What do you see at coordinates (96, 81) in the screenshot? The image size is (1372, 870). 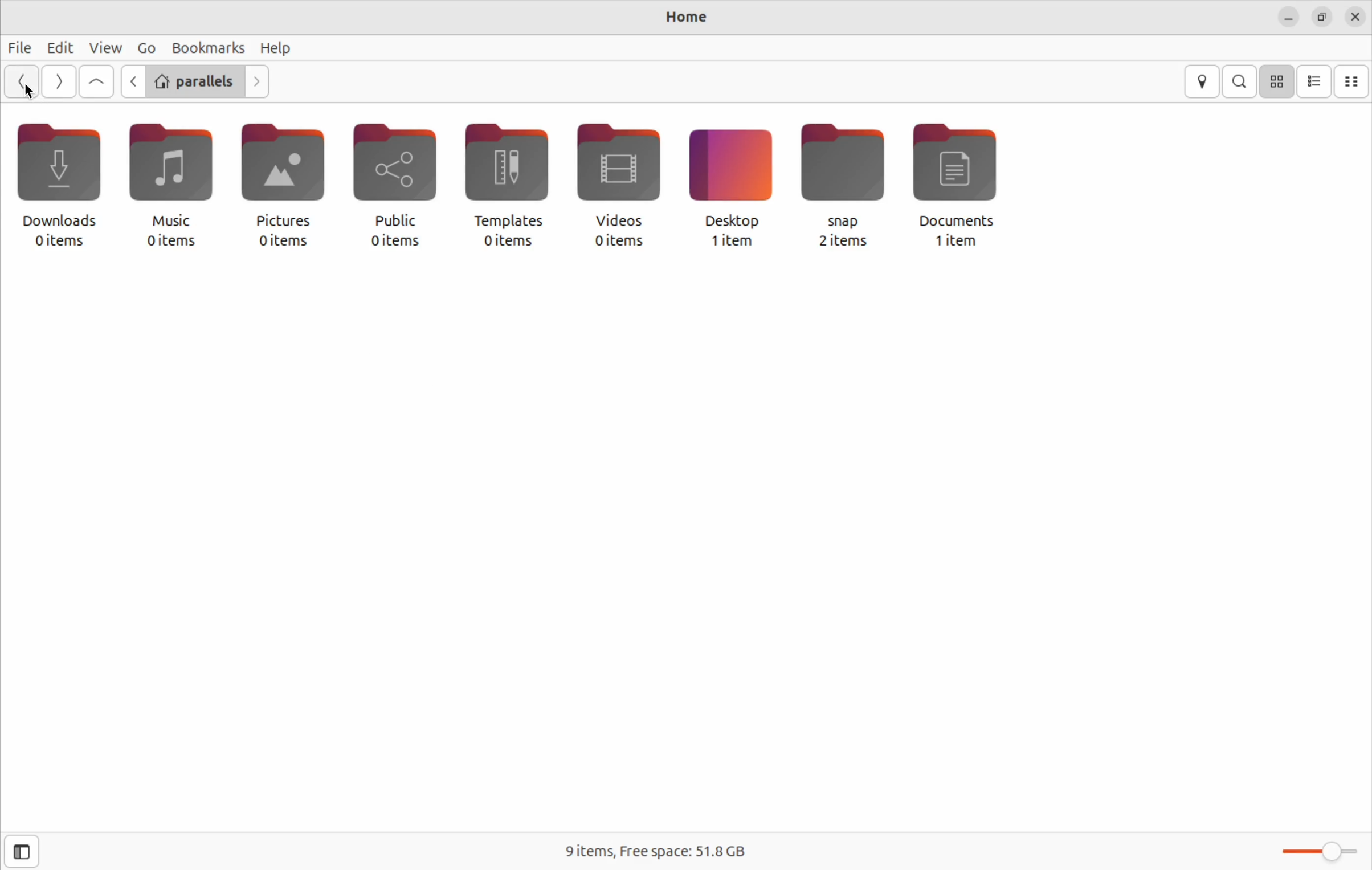 I see `Go to first file` at bounding box center [96, 81].